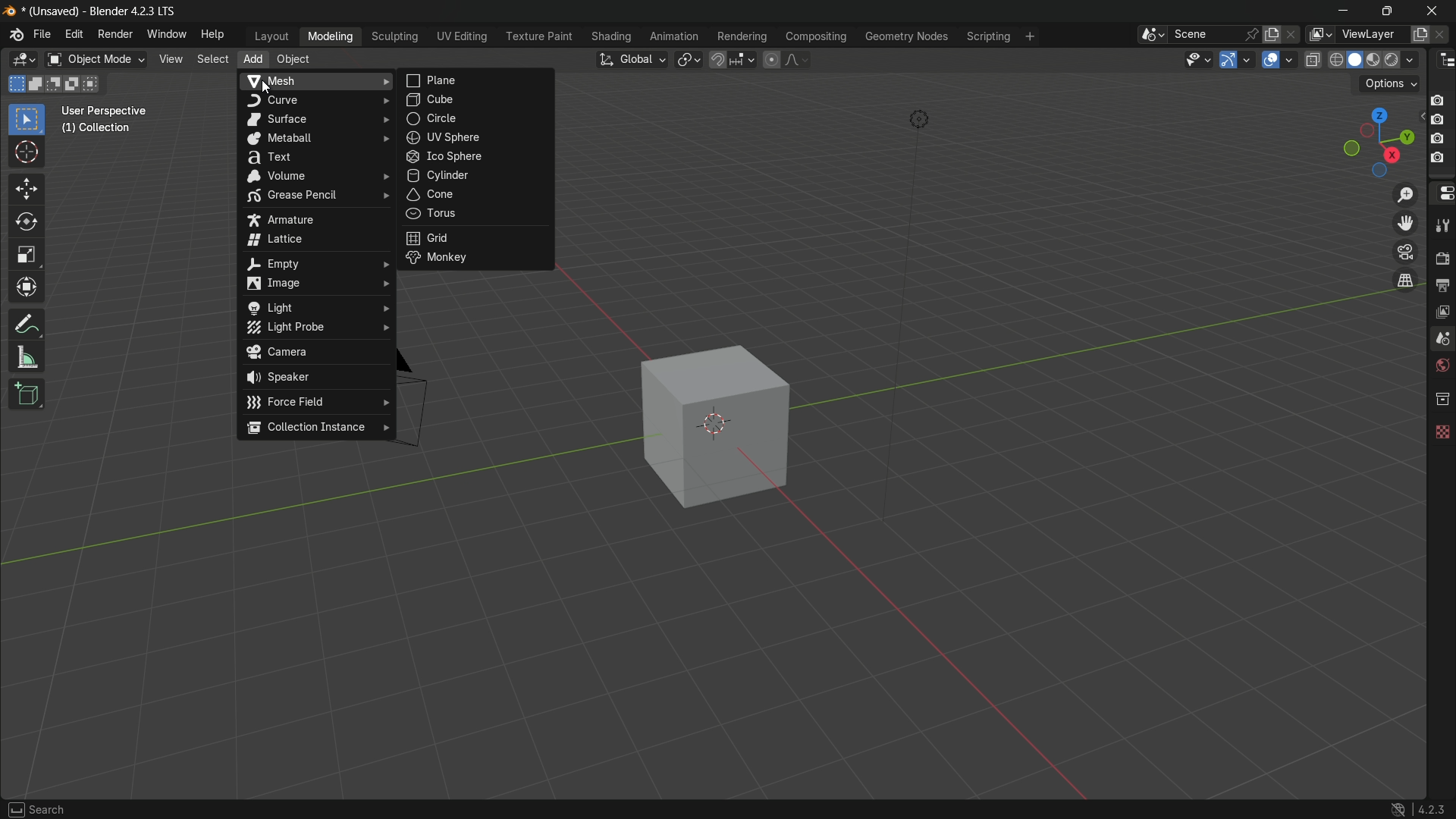 The image size is (1456, 819). What do you see at coordinates (1321, 36) in the screenshot?
I see `browse views` at bounding box center [1321, 36].